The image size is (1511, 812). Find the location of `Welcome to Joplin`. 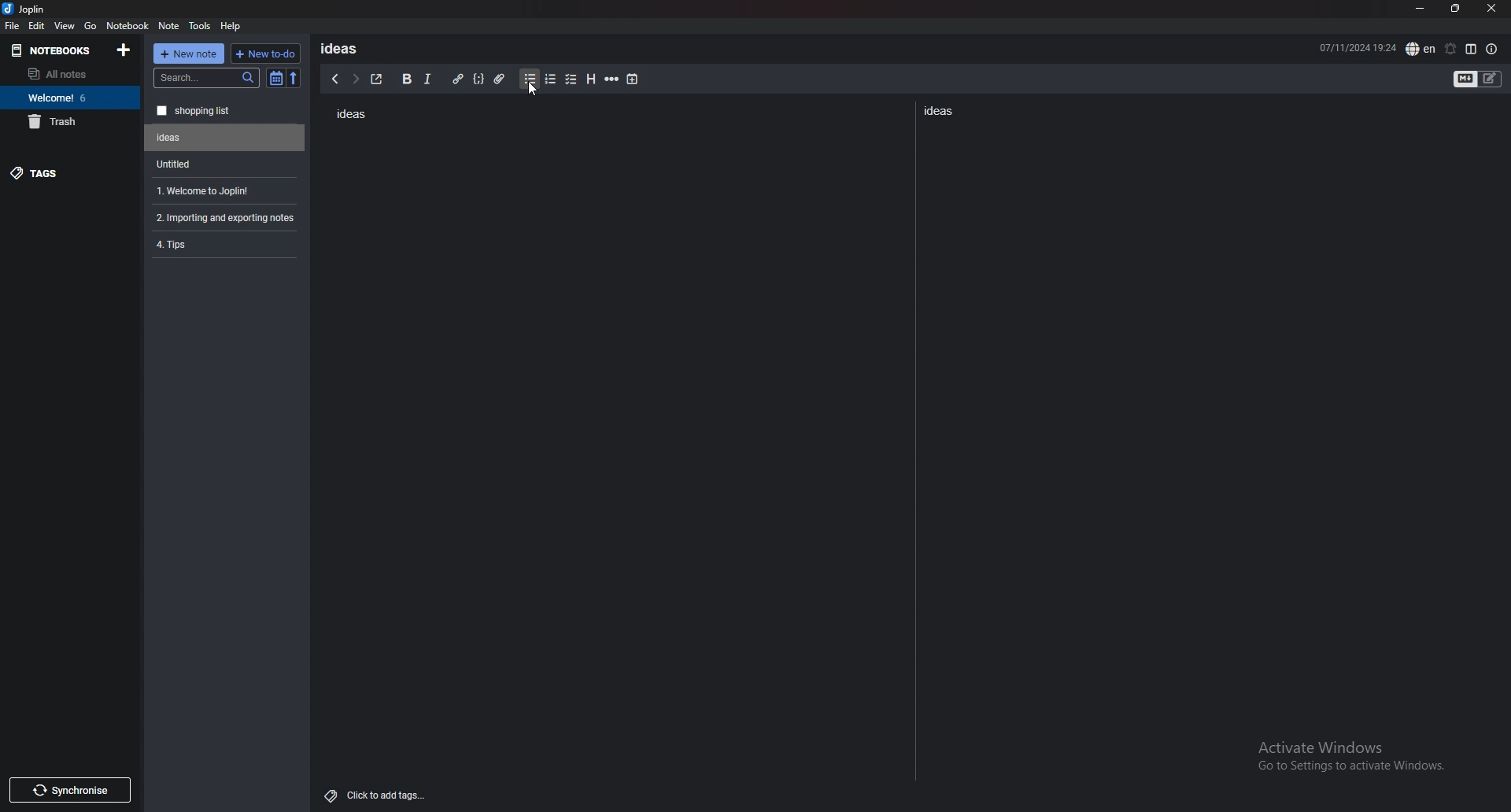

Welcome to Joplin is located at coordinates (222, 190).